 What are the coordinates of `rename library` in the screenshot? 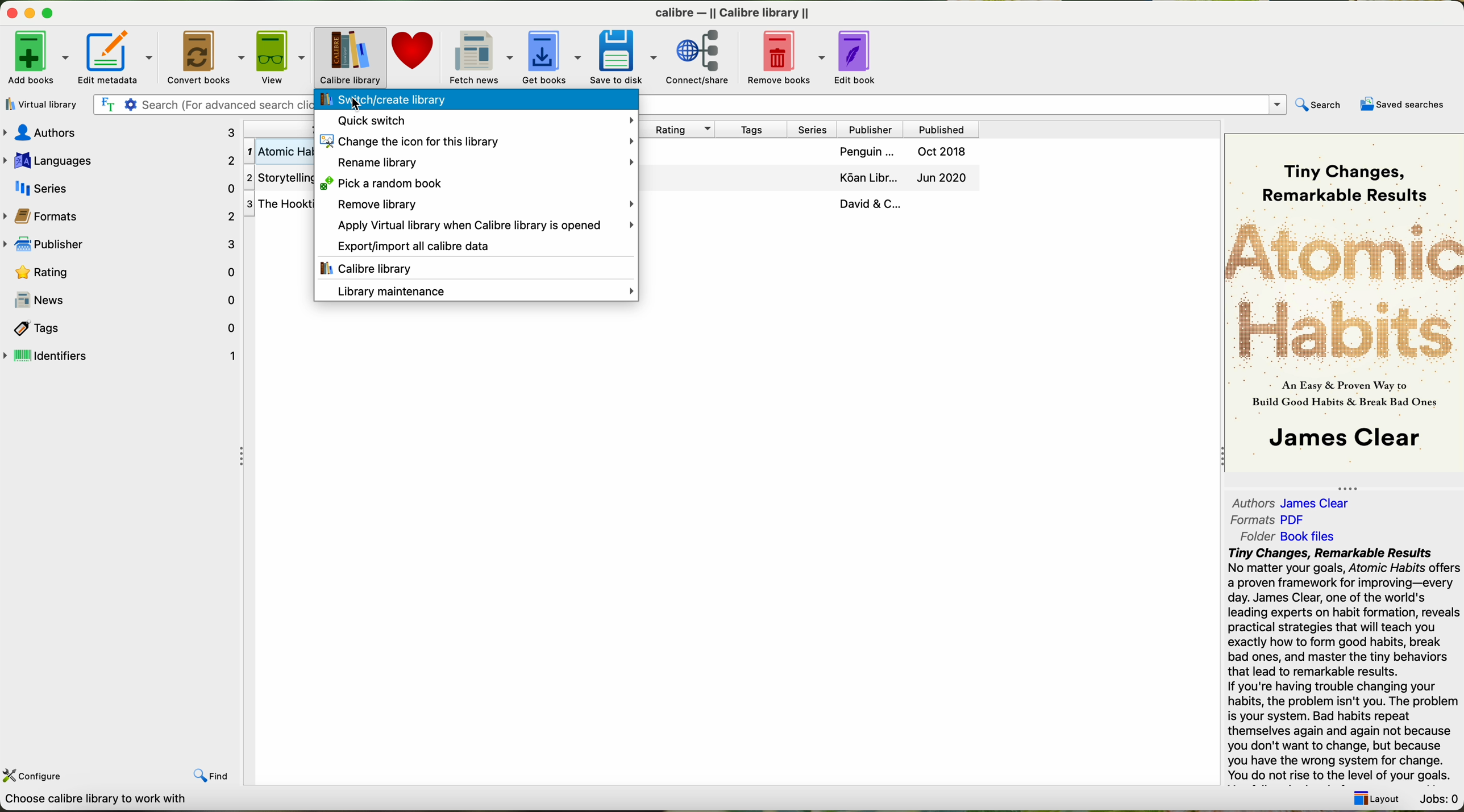 It's located at (481, 162).